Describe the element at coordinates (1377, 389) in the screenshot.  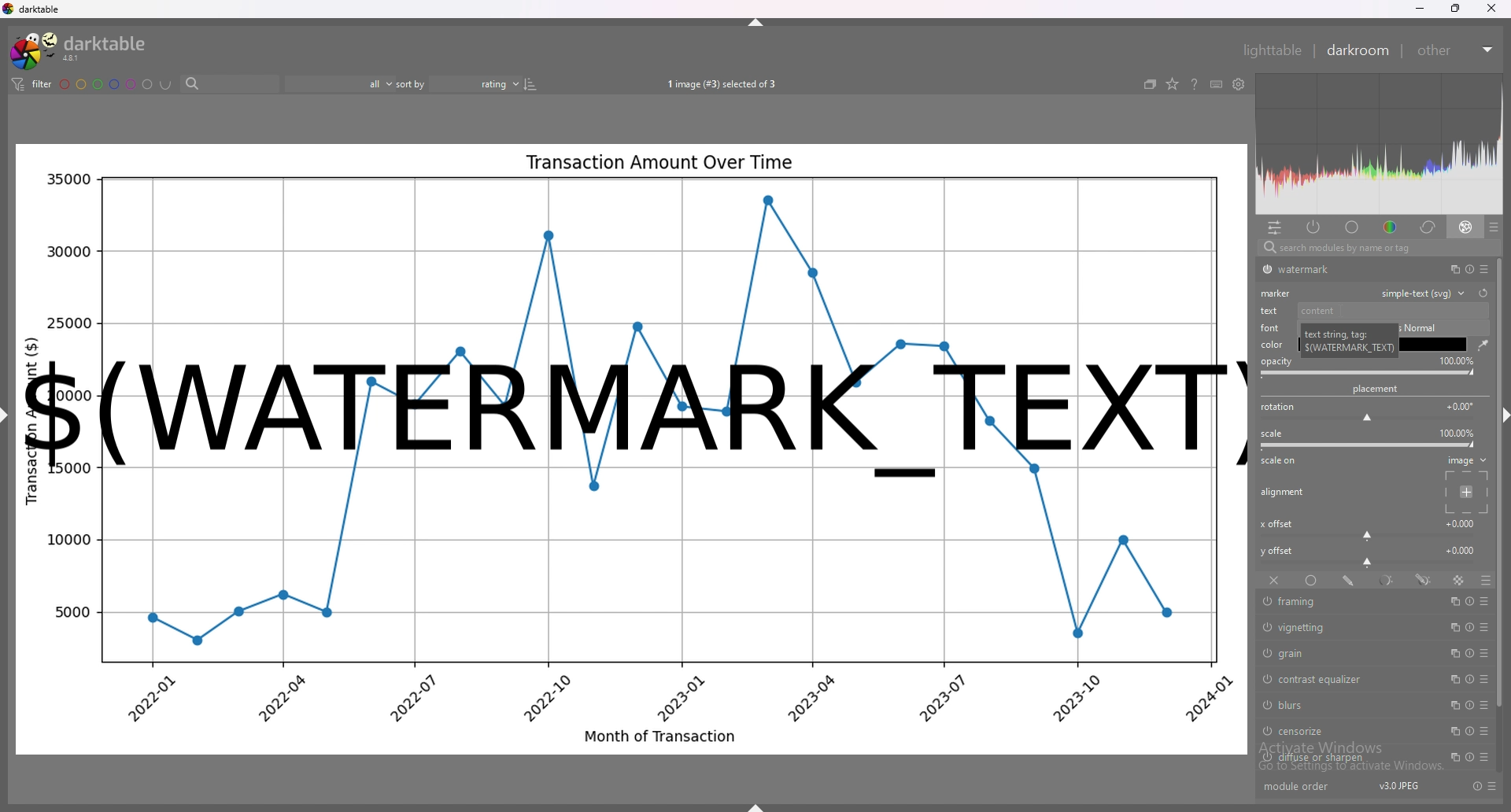
I see `placement` at that location.